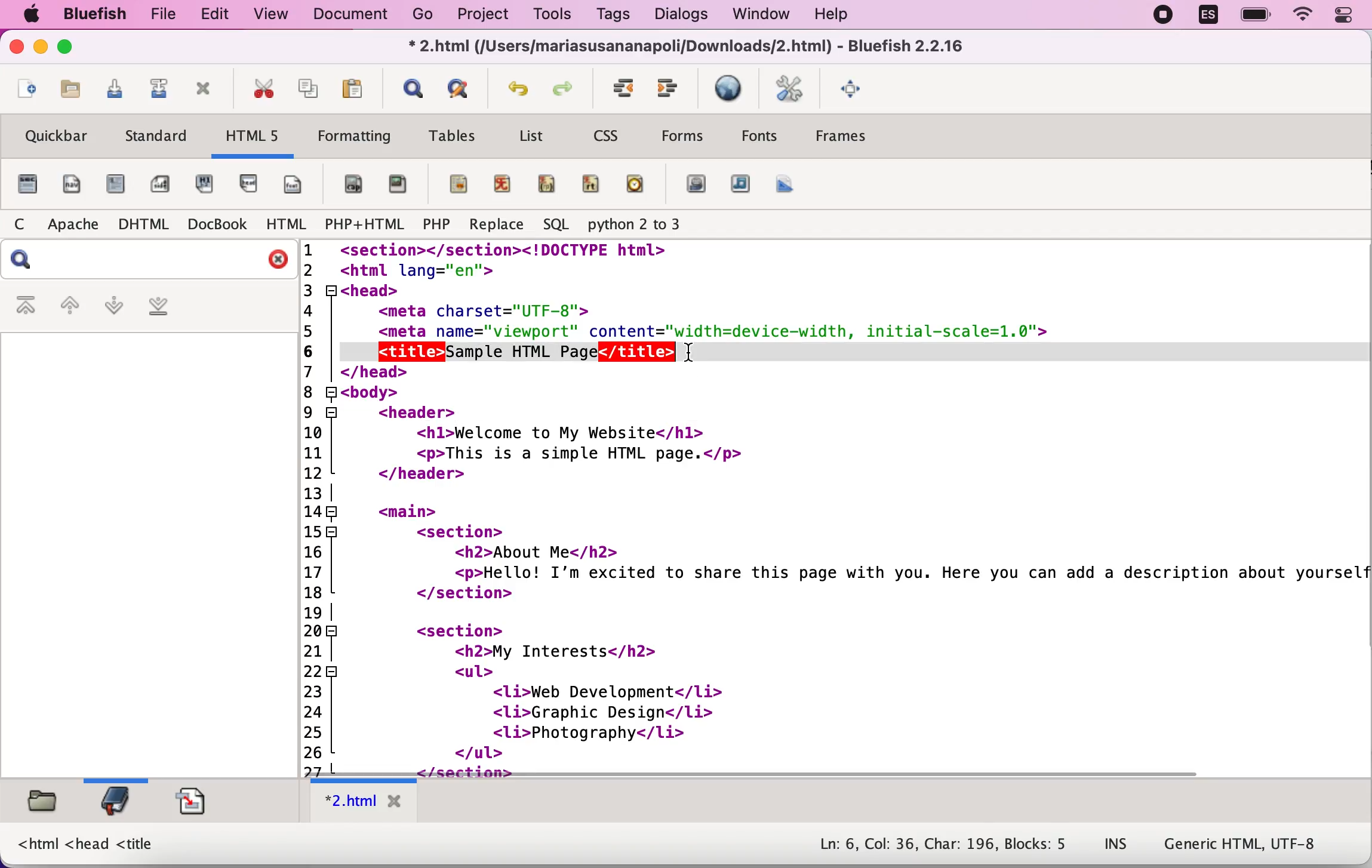  Describe the element at coordinates (593, 183) in the screenshot. I see `ruby text` at that location.